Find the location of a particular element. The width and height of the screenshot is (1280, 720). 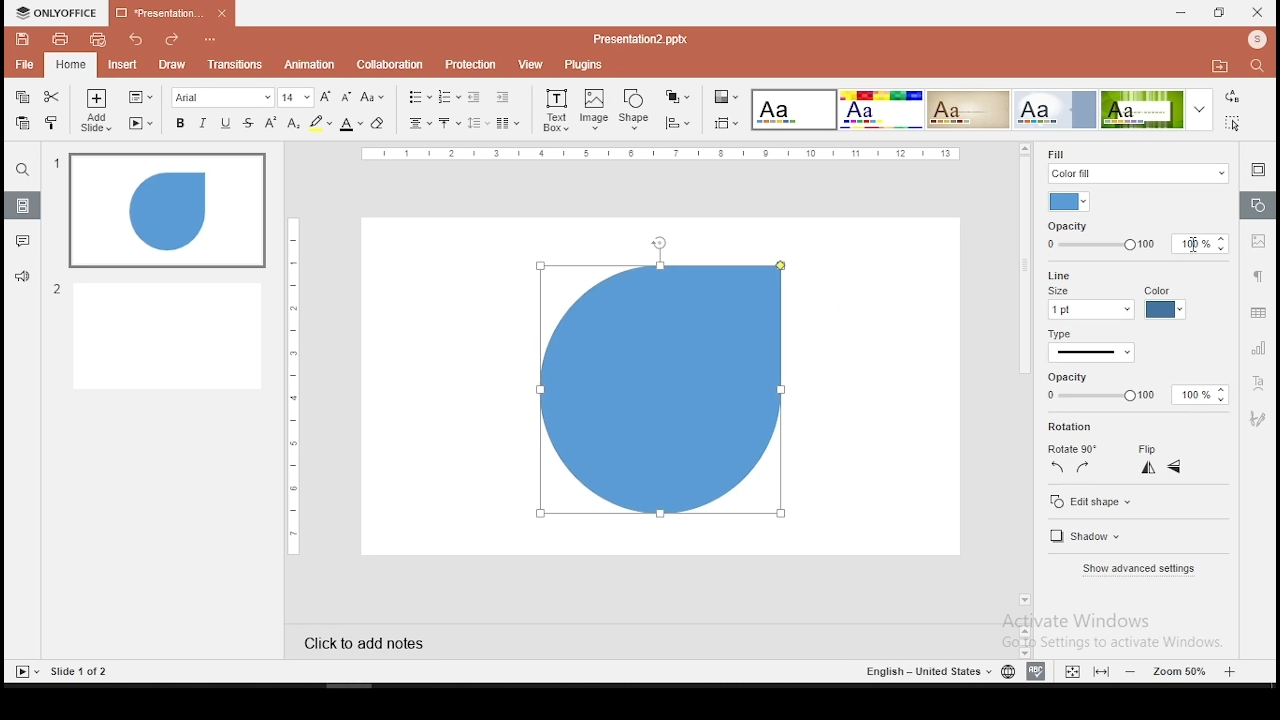

edit shape is located at coordinates (1092, 503).